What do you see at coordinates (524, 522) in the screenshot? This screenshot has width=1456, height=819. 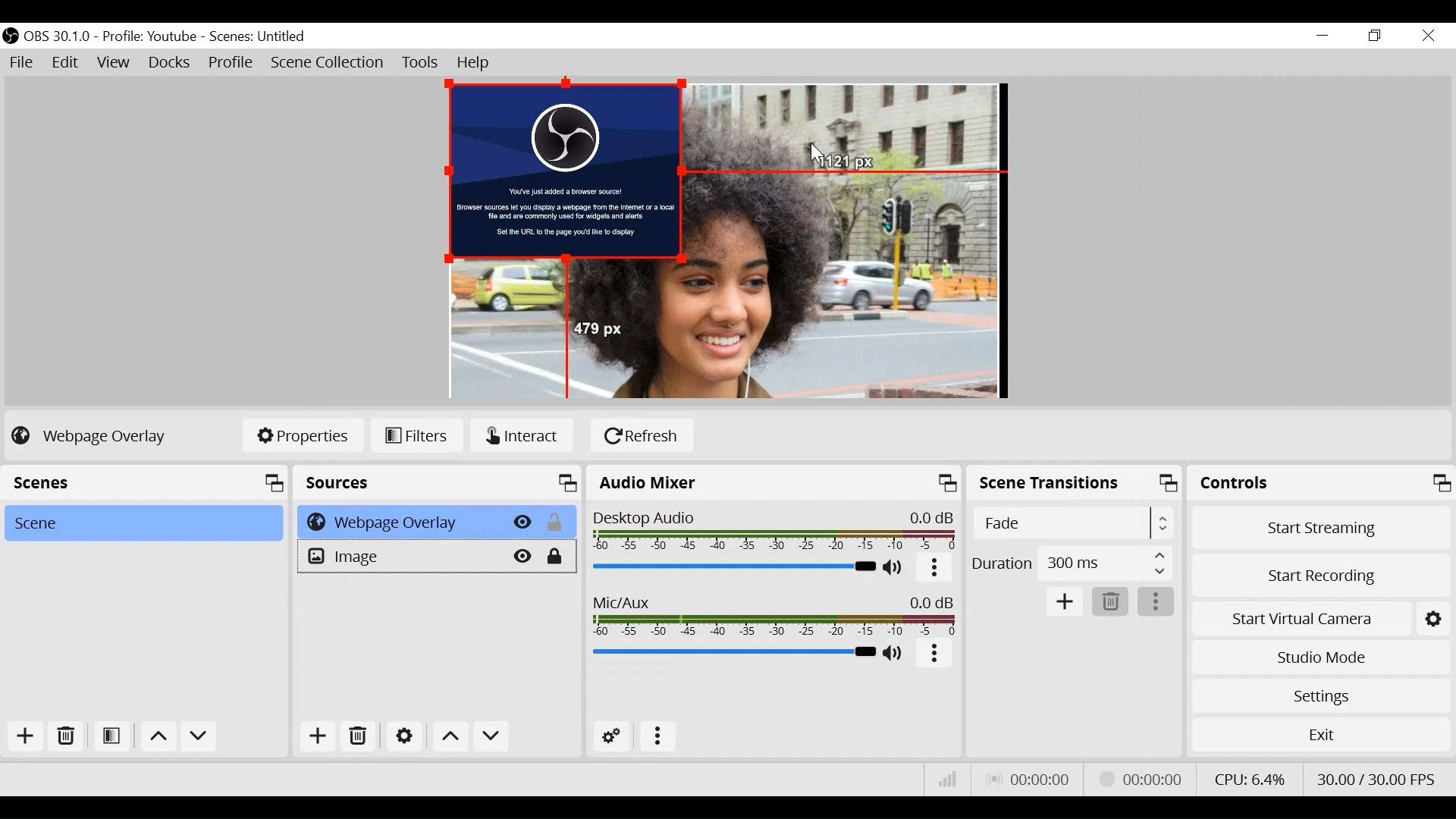 I see `Hide/Display` at bounding box center [524, 522].